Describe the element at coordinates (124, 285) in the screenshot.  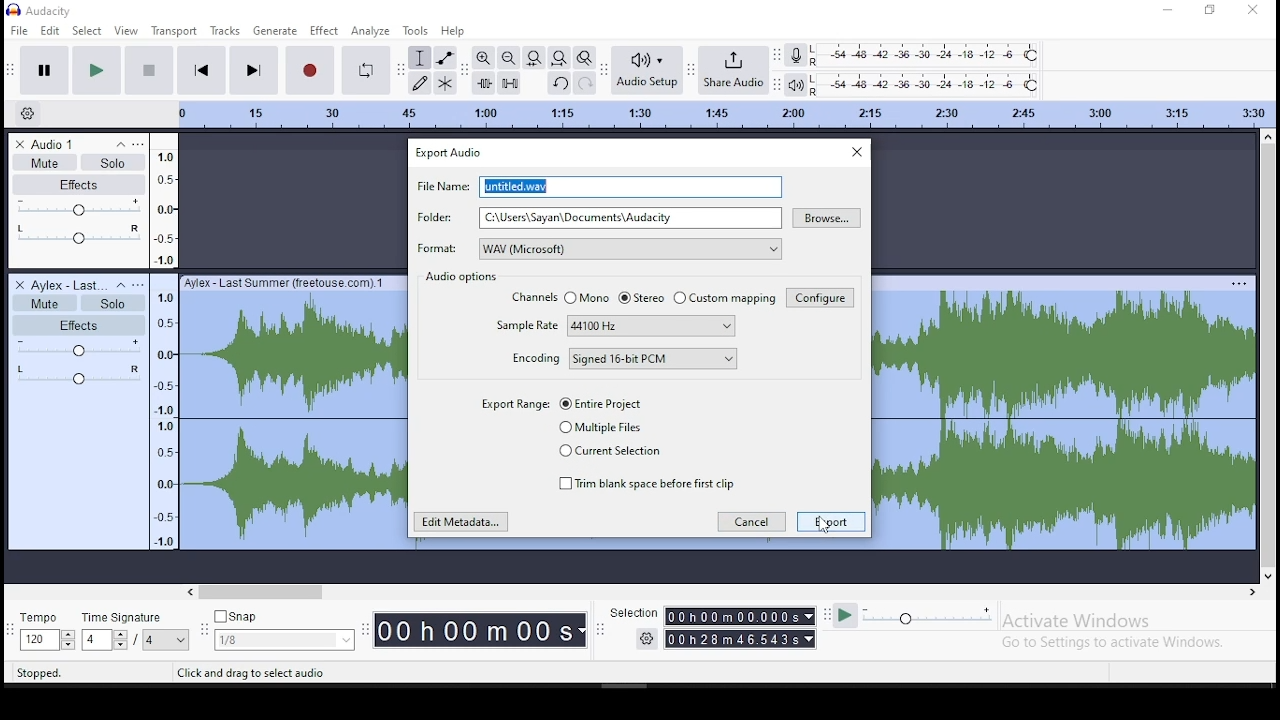
I see `collapse` at that location.